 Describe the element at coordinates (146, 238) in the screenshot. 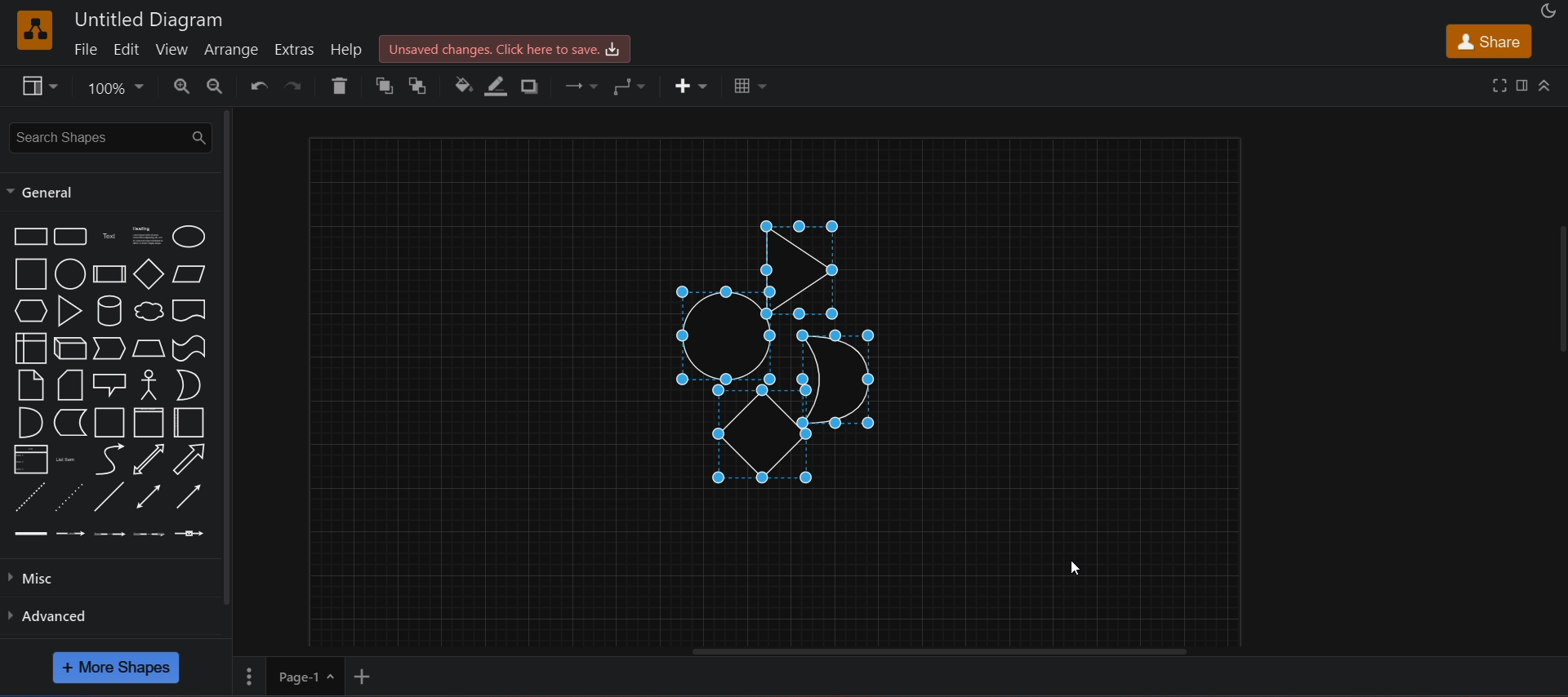

I see `heading` at that location.